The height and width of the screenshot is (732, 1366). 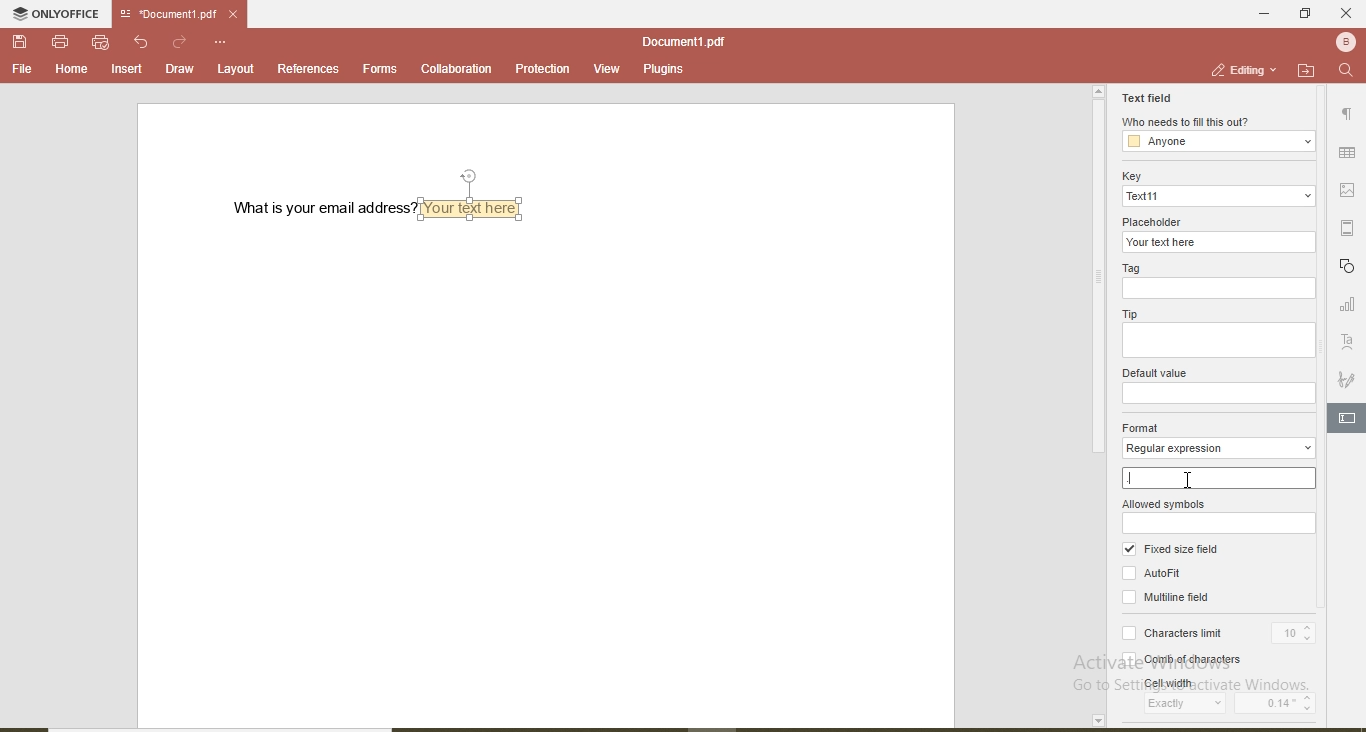 What do you see at coordinates (1130, 315) in the screenshot?
I see `tip` at bounding box center [1130, 315].